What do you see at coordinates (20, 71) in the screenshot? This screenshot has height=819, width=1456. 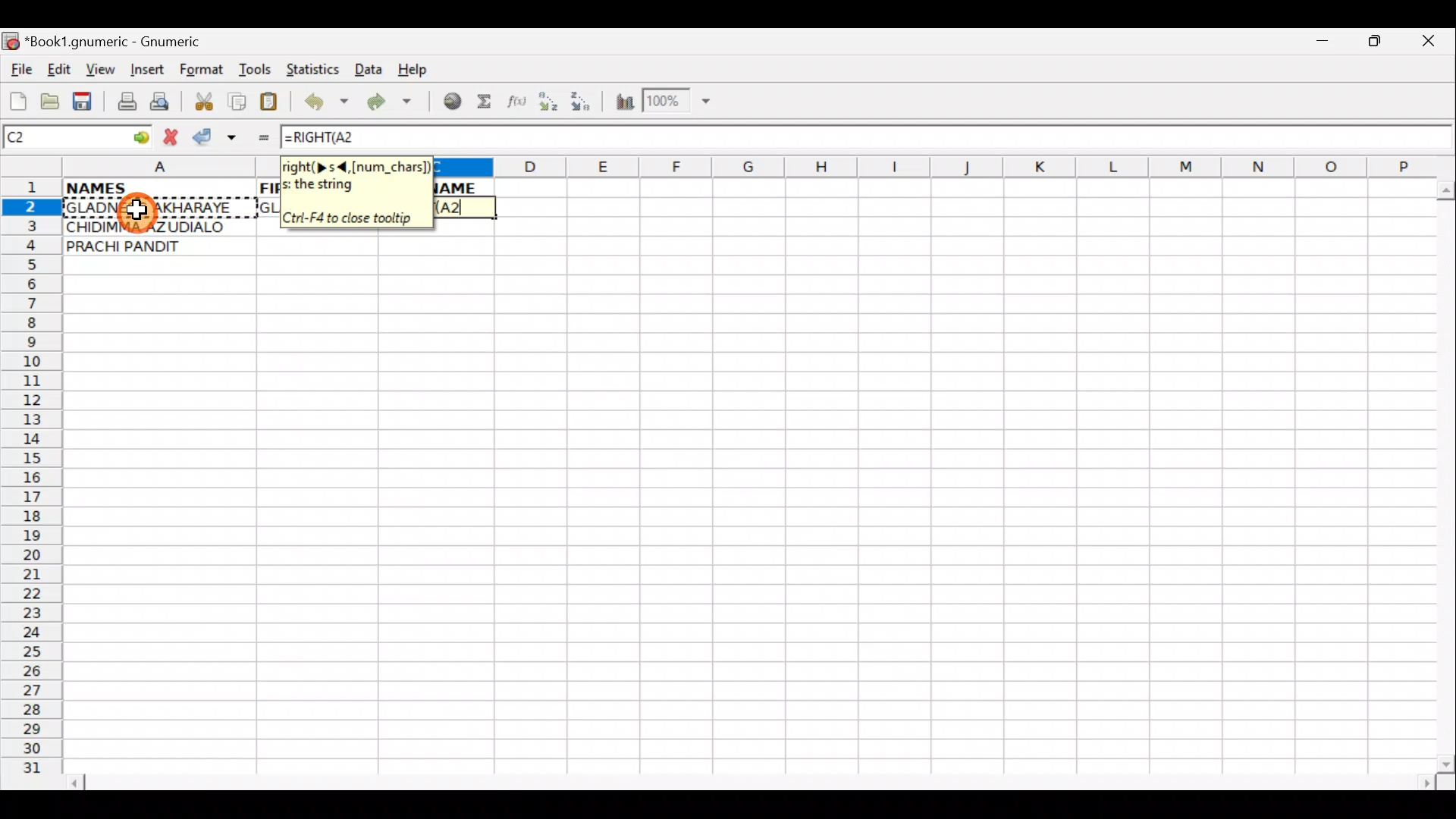 I see `File` at bounding box center [20, 71].